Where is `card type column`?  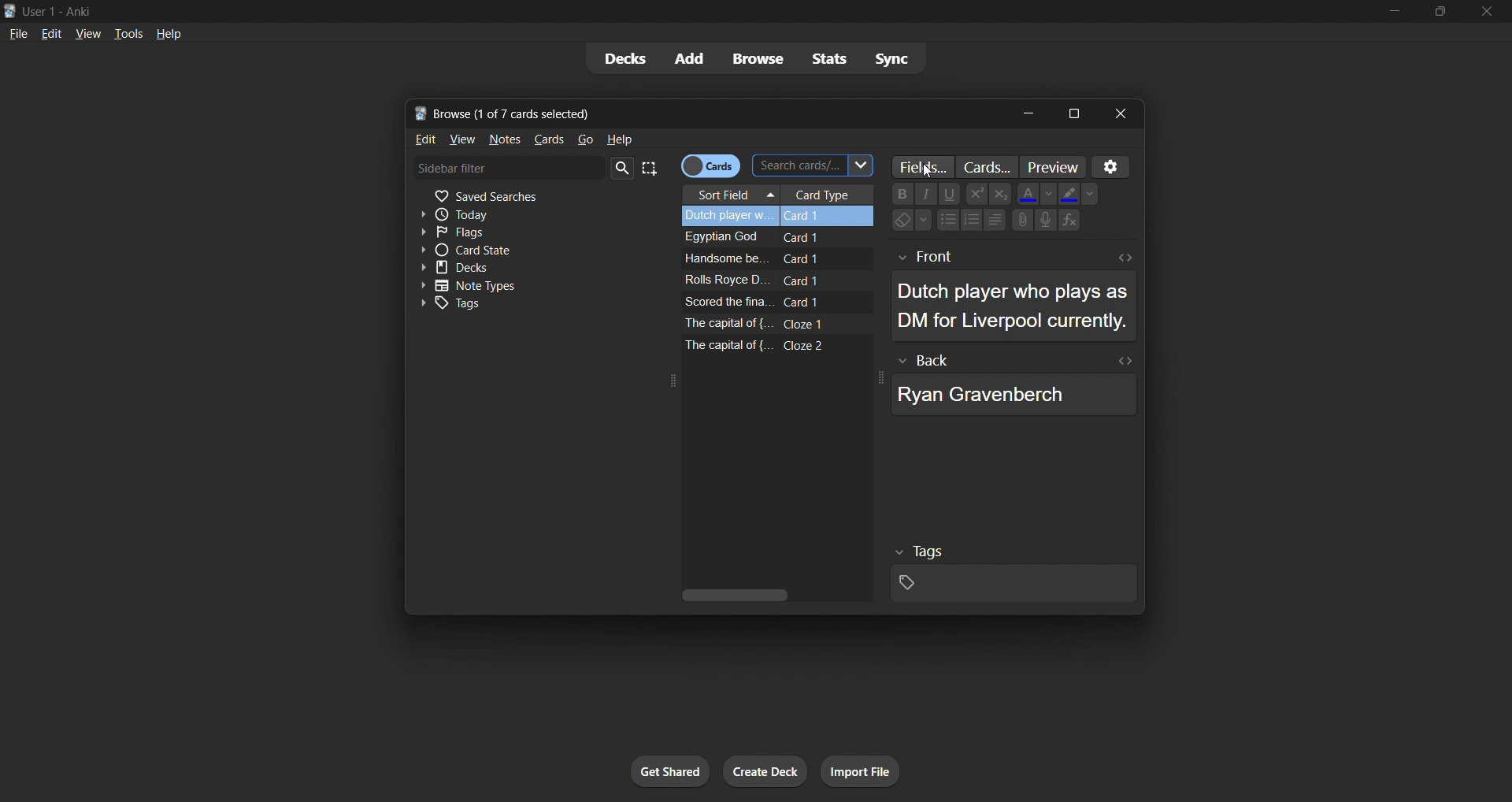
card type column is located at coordinates (829, 192).